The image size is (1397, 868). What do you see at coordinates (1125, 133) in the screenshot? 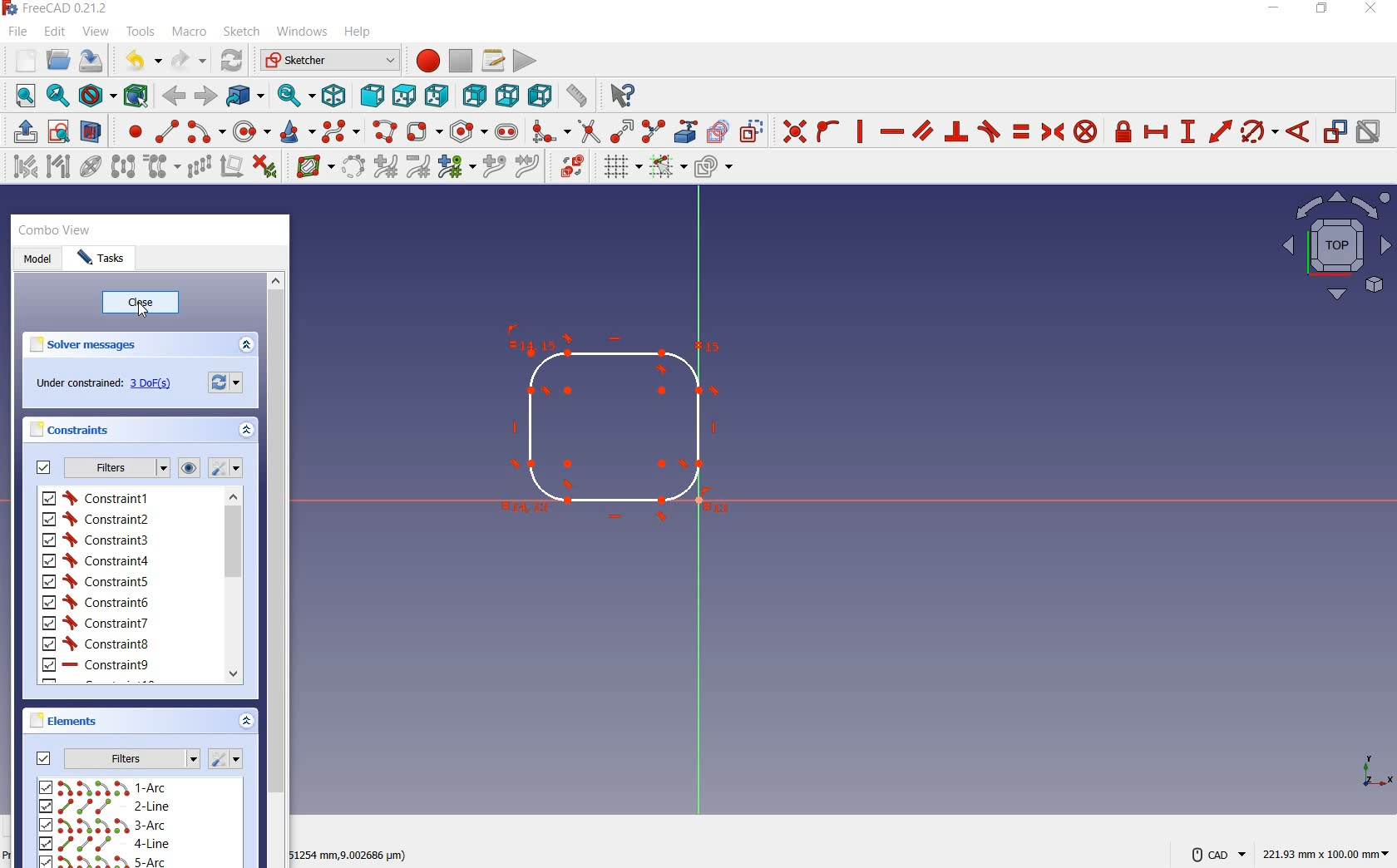
I see `constrain lock` at bounding box center [1125, 133].